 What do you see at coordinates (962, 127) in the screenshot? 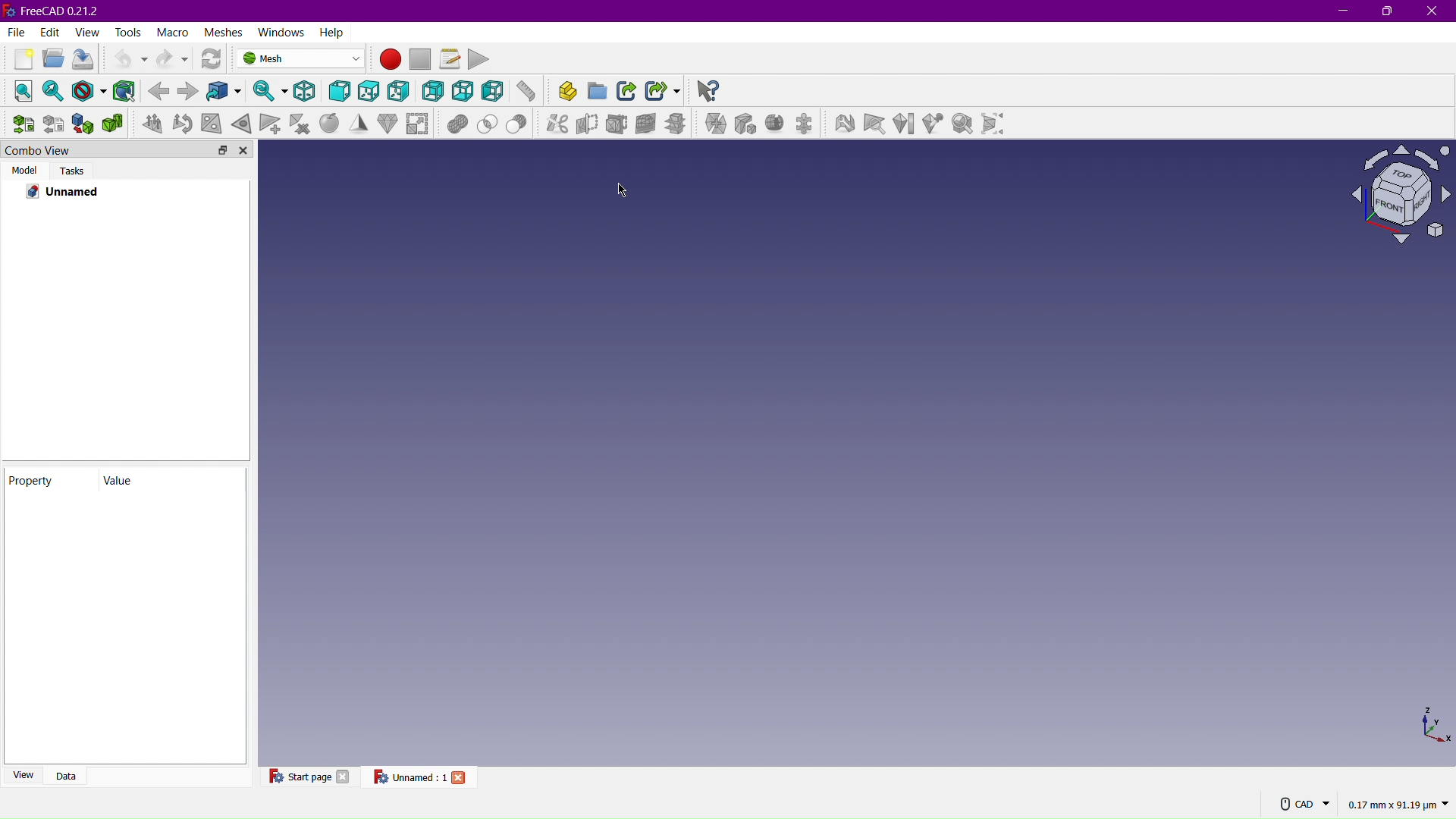
I see `Check solid mesh` at bounding box center [962, 127].